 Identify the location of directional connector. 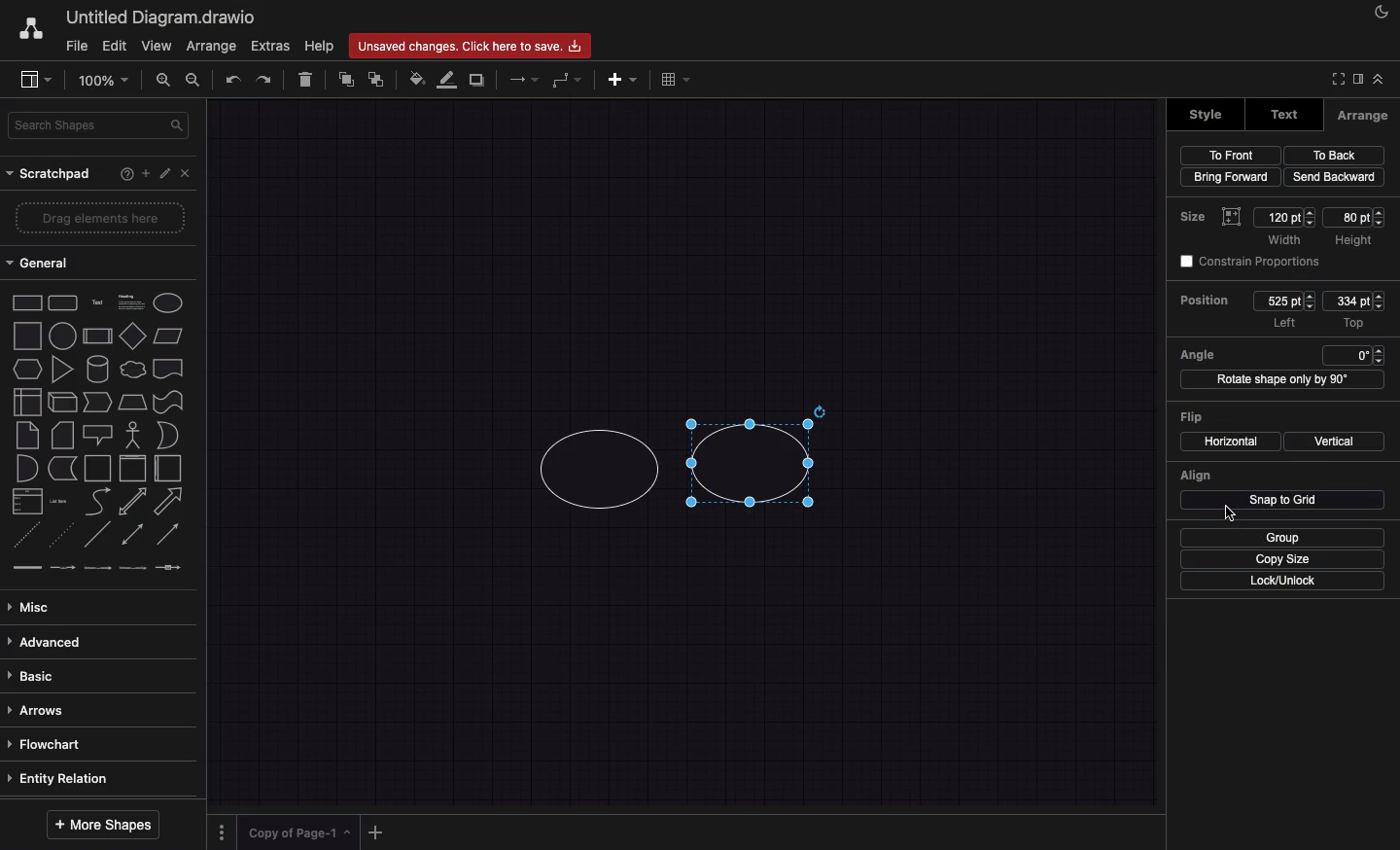
(168, 536).